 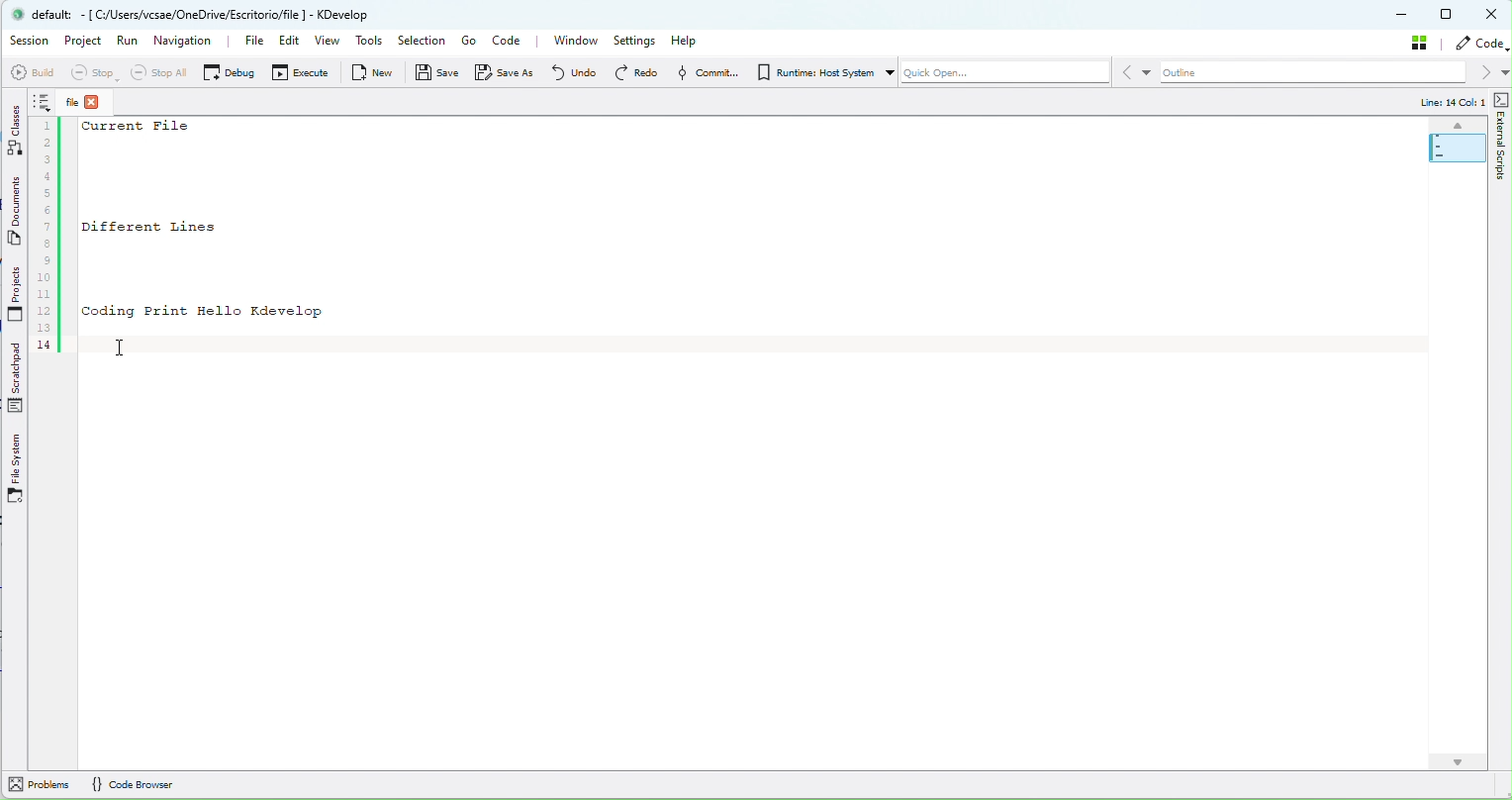 What do you see at coordinates (1450, 143) in the screenshot?
I see `Minimap` at bounding box center [1450, 143].